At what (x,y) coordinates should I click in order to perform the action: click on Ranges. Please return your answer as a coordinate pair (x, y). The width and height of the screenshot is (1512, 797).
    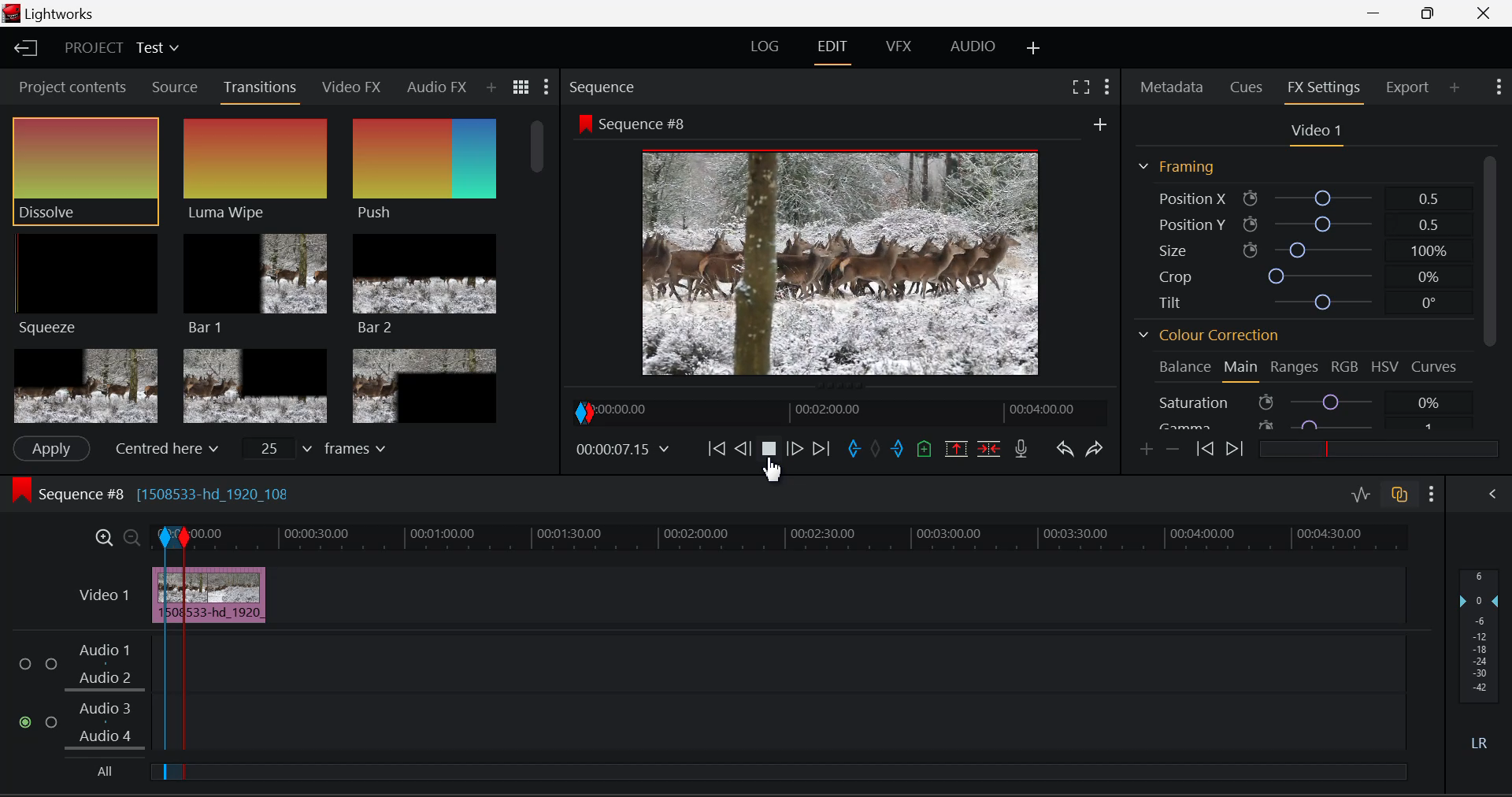
    Looking at the image, I should click on (1295, 369).